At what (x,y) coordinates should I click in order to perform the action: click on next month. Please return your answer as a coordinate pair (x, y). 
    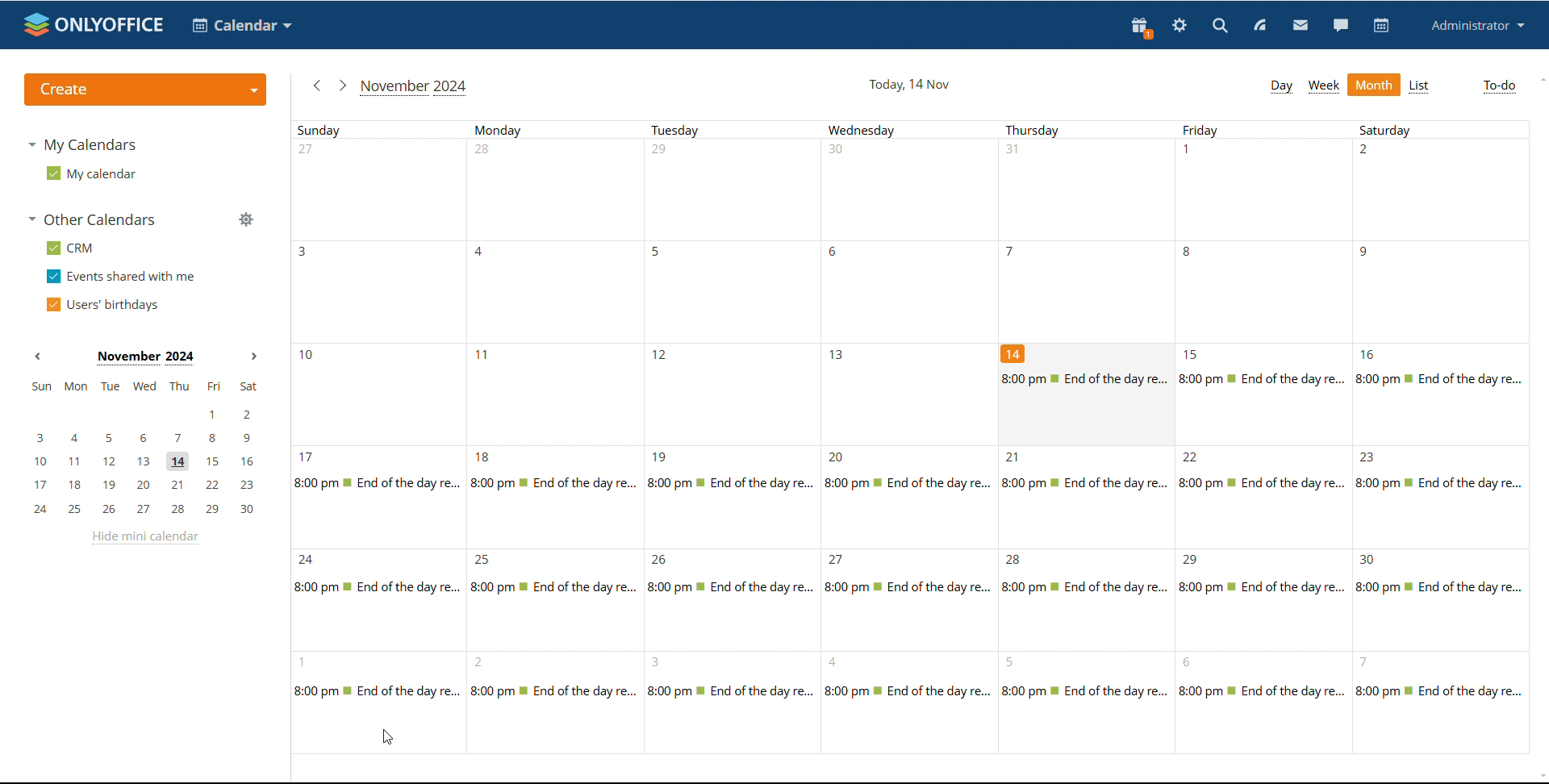
    Looking at the image, I should click on (340, 85).